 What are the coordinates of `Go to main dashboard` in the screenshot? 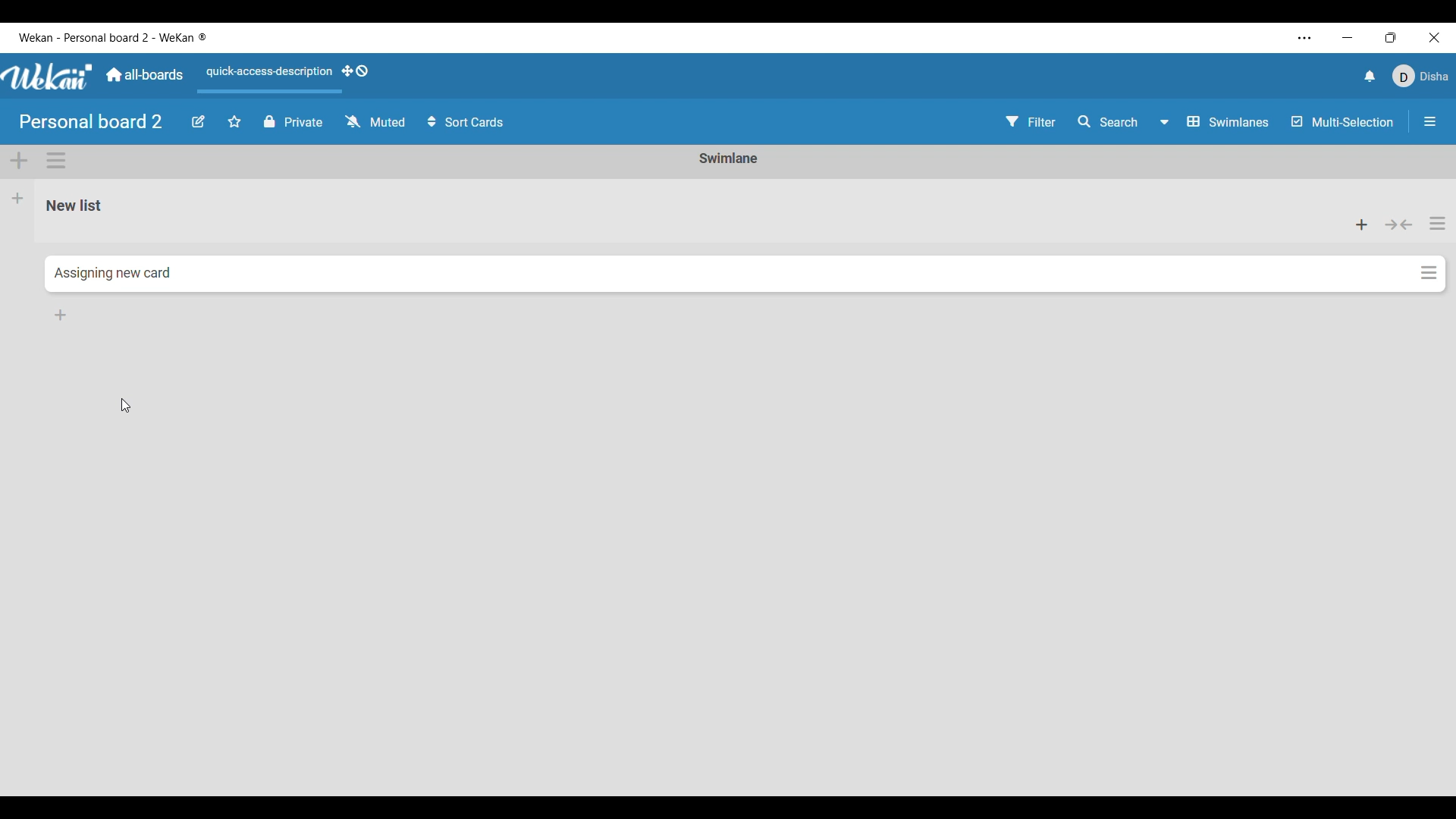 It's located at (144, 75).